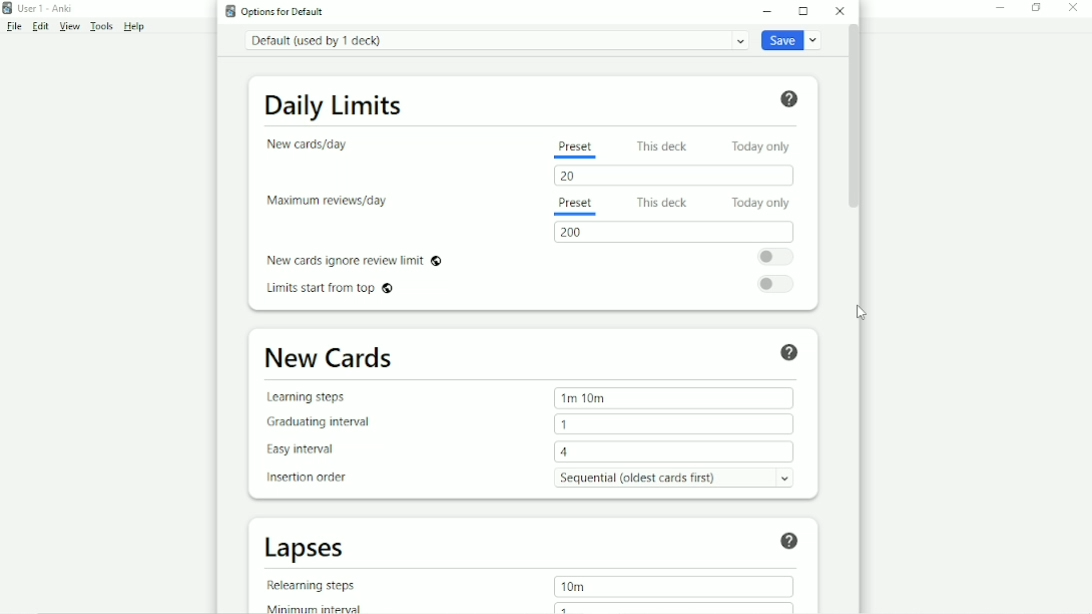 The height and width of the screenshot is (614, 1092). Describe the element at coordinates (575, 233) in the screenshot. I see `200` at that location.